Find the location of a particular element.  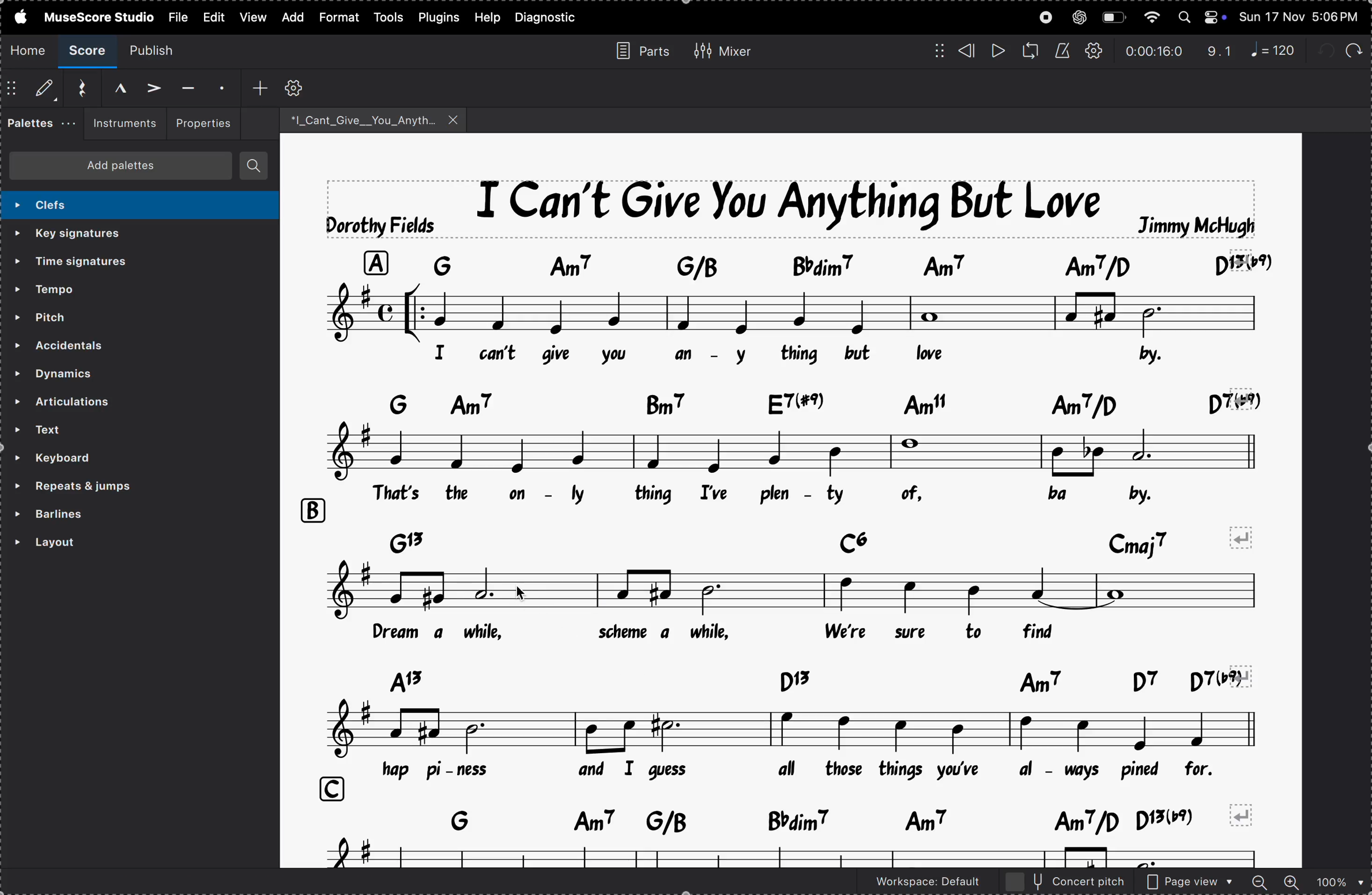

view is located at coordinates (251, 17).